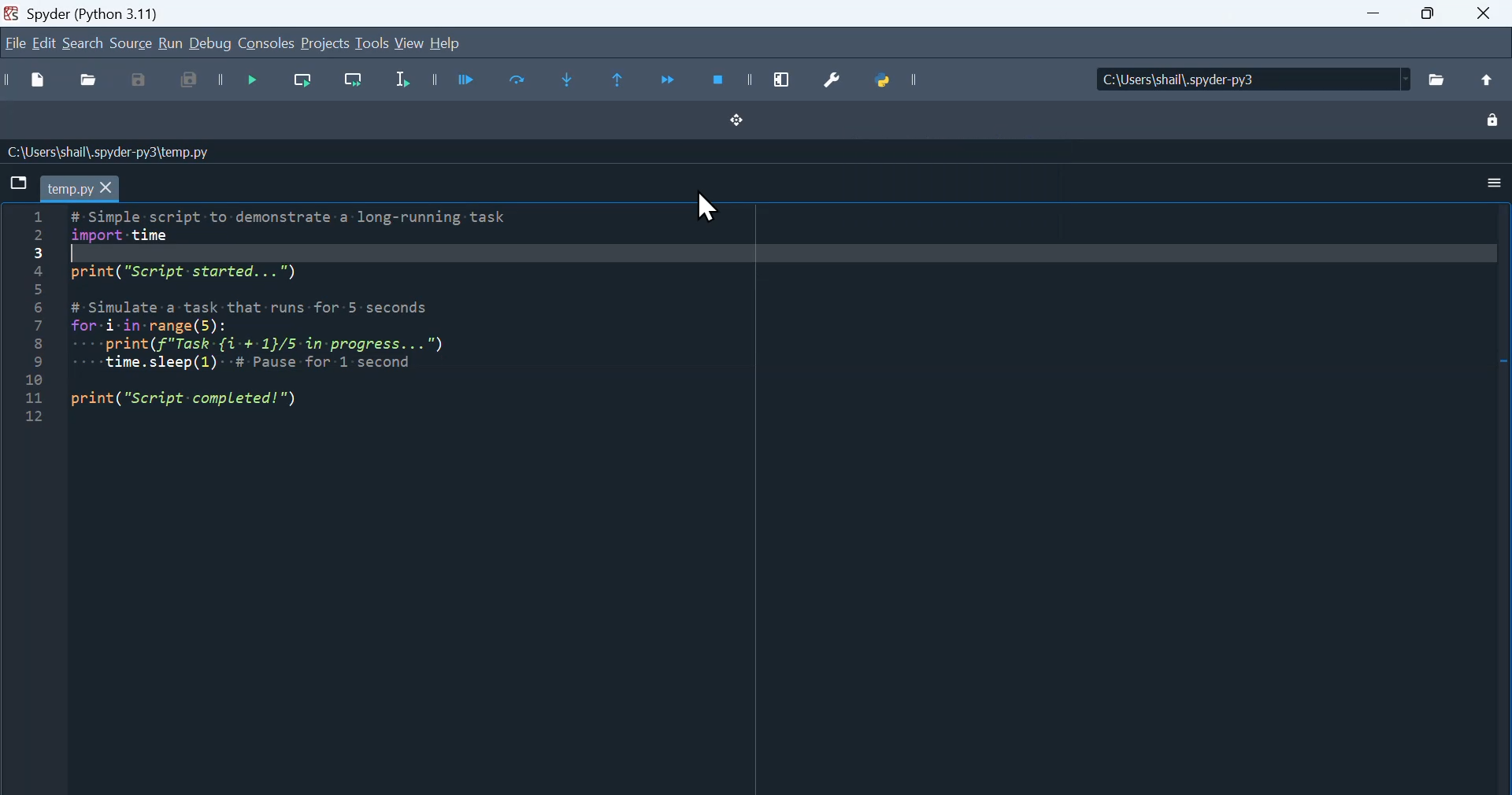  I want to click on , so click(1362, 16).